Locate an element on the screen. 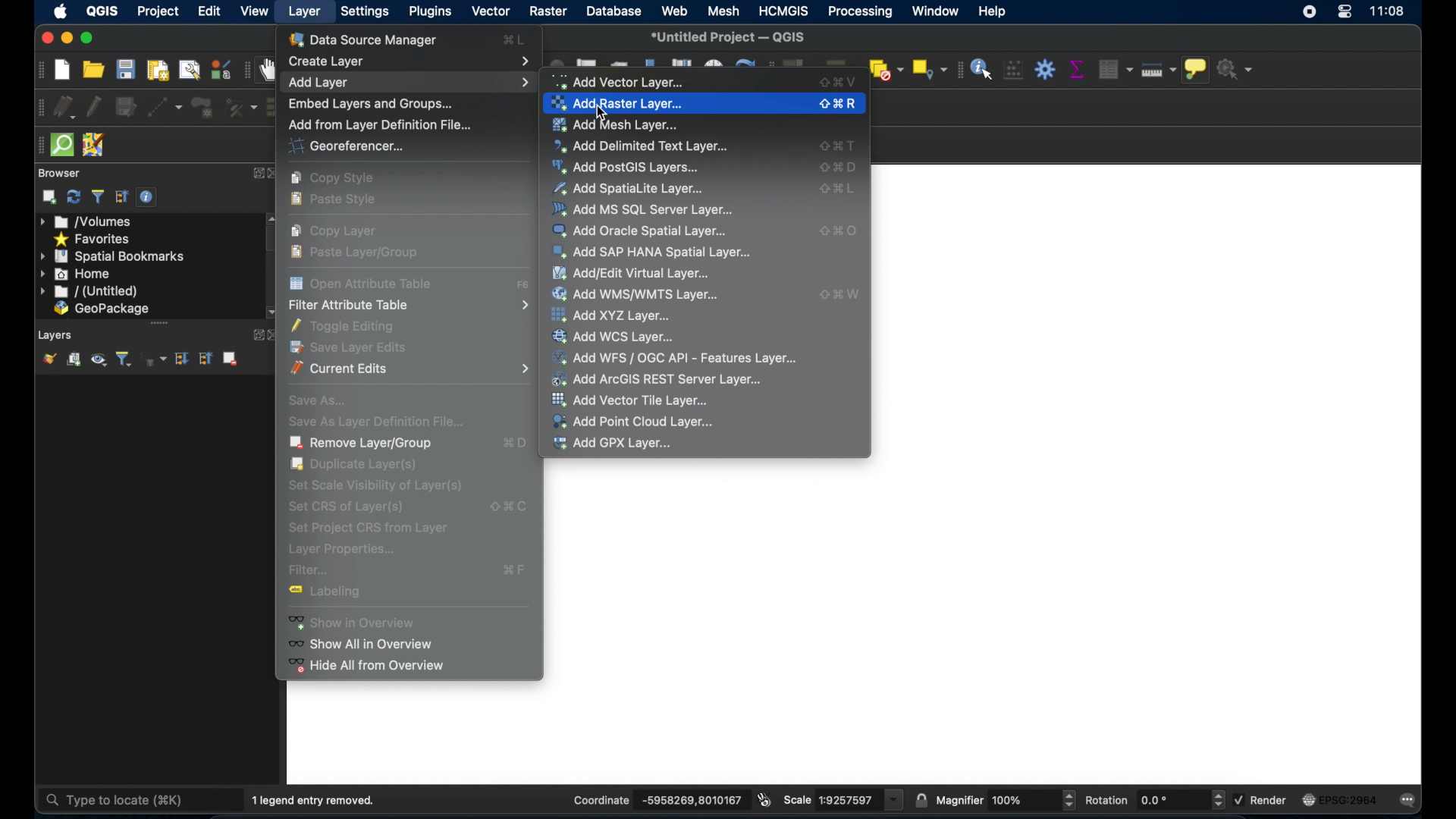 The height and width of the screenshot is (819, 1456). remove layer/group is located at coordinates (234, 359).